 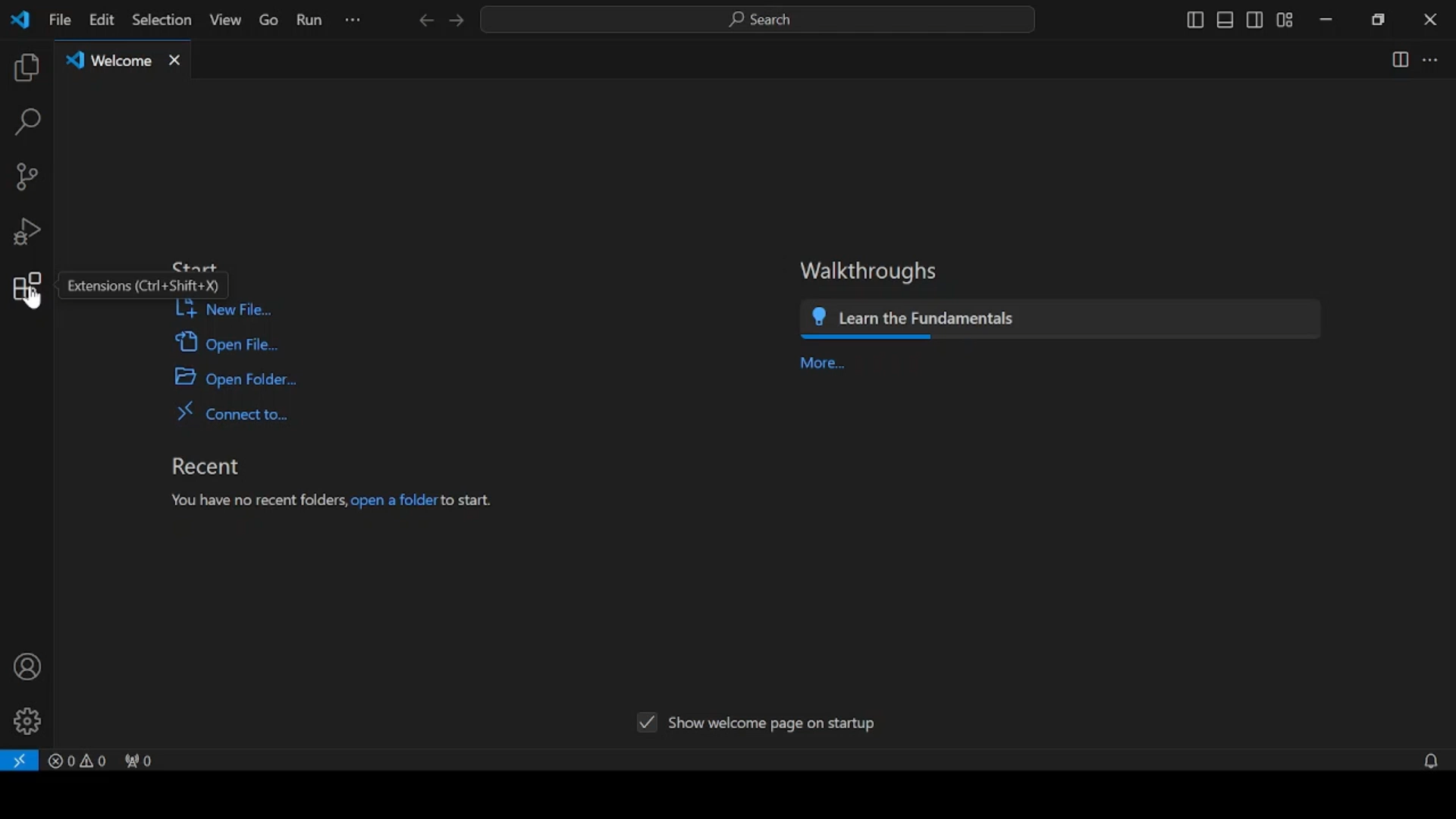 I want to click on cursor, so click(x=34, y=305).